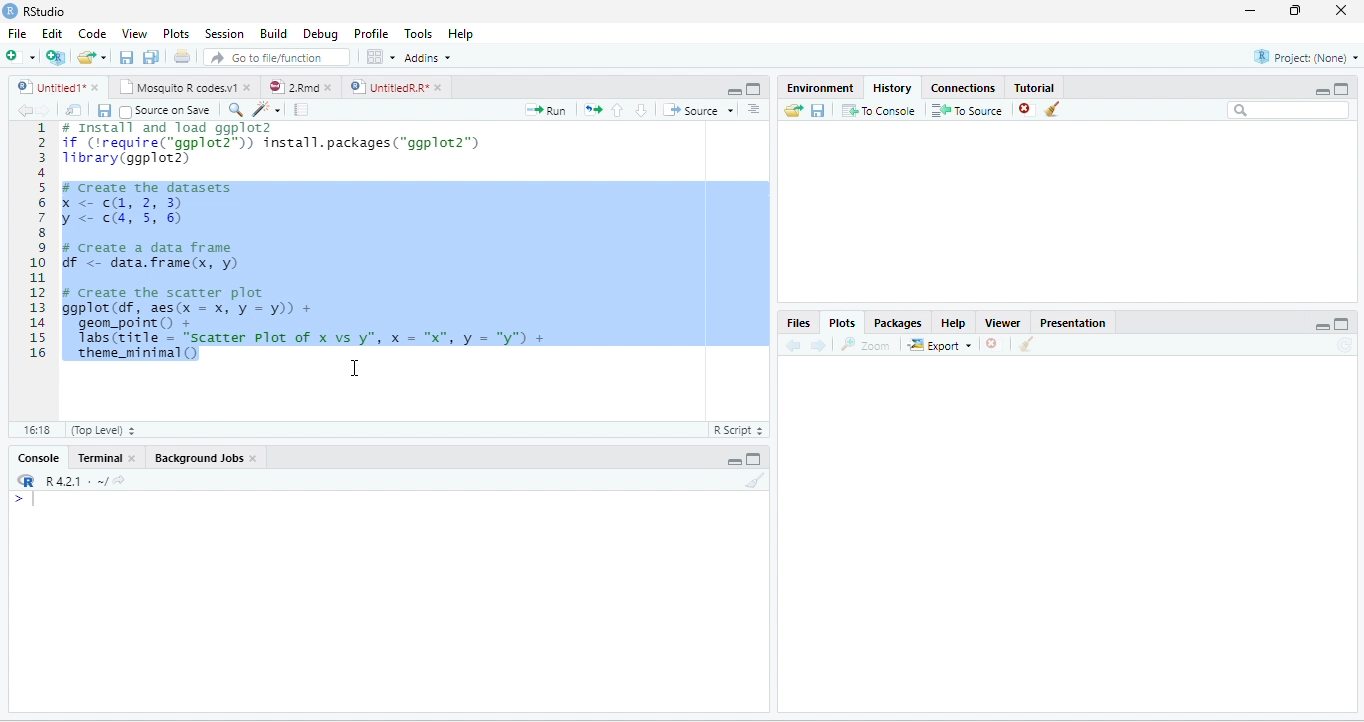  Describe the element at coordinates (34, 429) in the screenshot. I see `1:1` at that location.